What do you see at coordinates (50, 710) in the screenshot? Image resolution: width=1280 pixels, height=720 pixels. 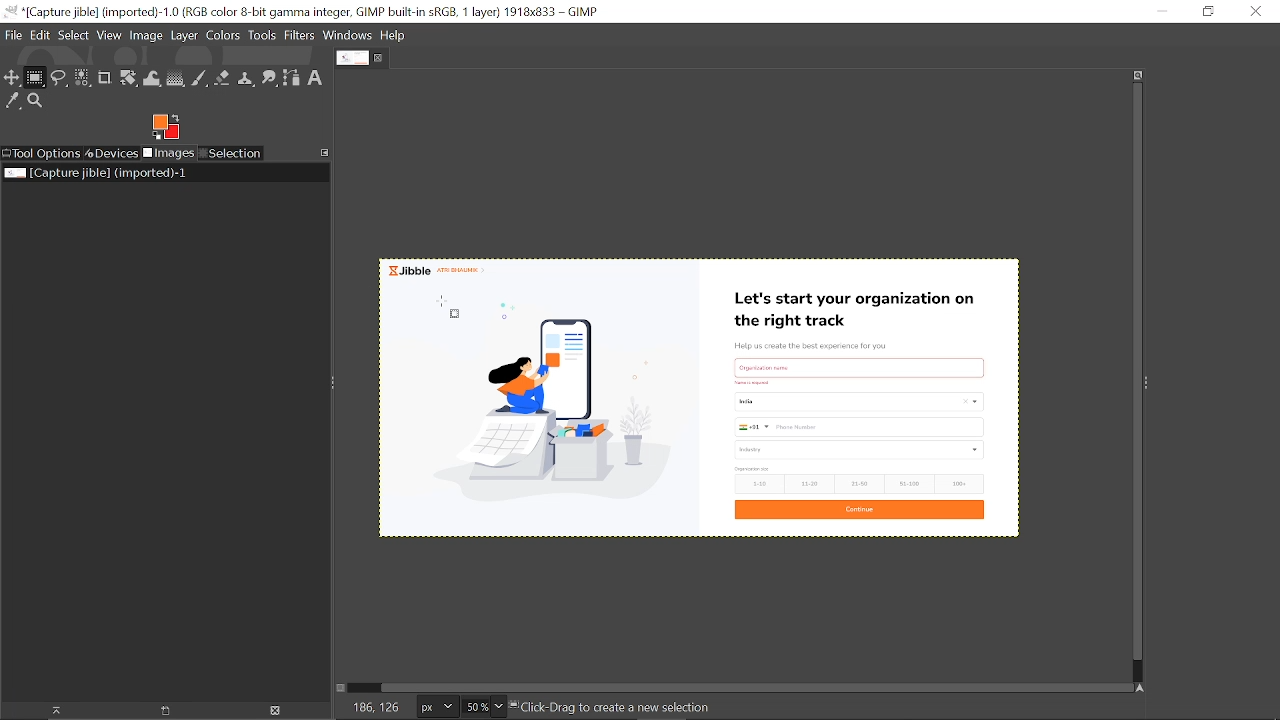 I see `Raise display for this image` at bounding box center [50, 710].